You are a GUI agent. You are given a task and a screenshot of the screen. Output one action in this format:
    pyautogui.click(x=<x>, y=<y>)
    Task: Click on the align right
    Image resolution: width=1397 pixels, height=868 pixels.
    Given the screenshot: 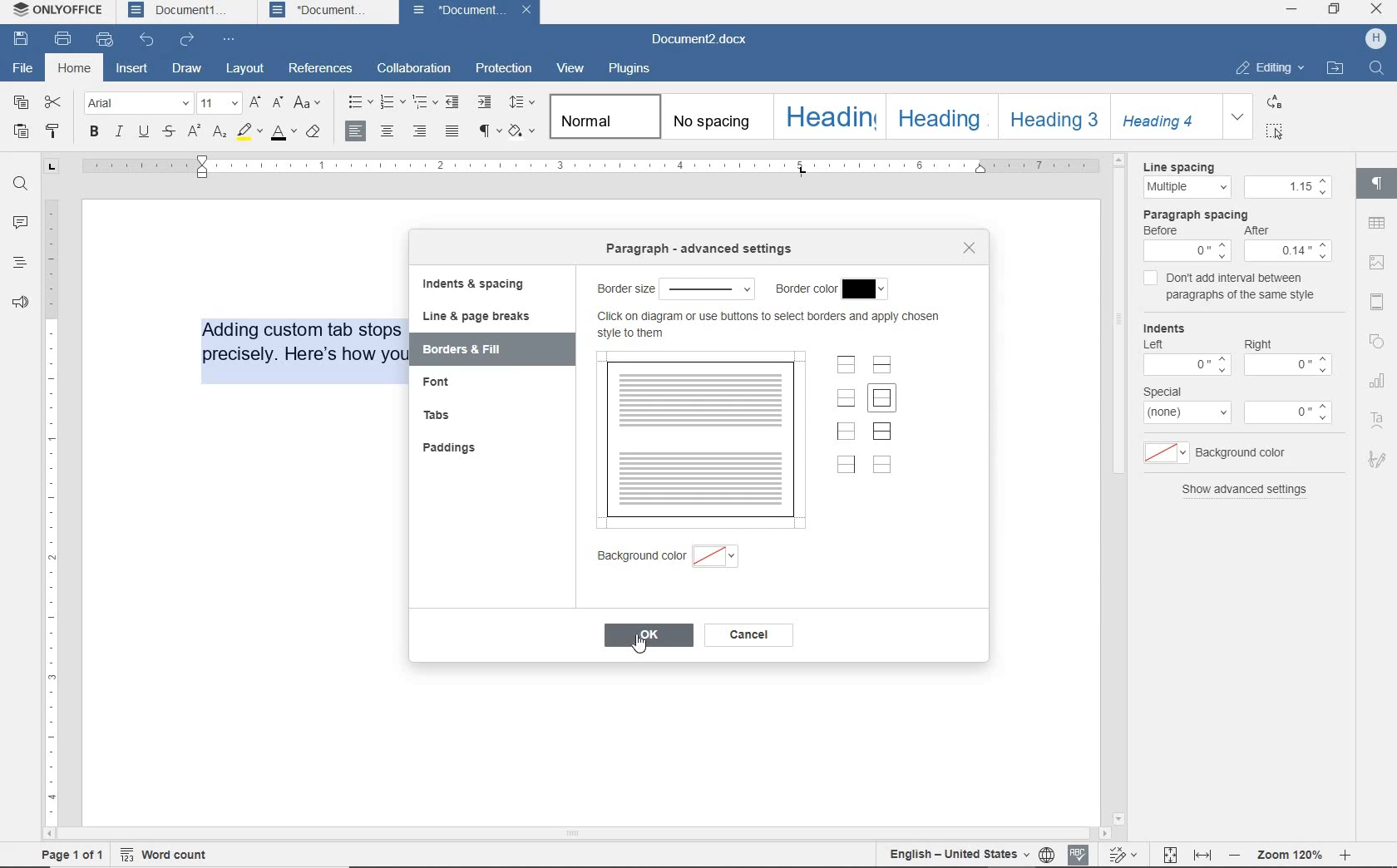 What is the action you would take?
    pyautogui.click(x=420, y=131)
    